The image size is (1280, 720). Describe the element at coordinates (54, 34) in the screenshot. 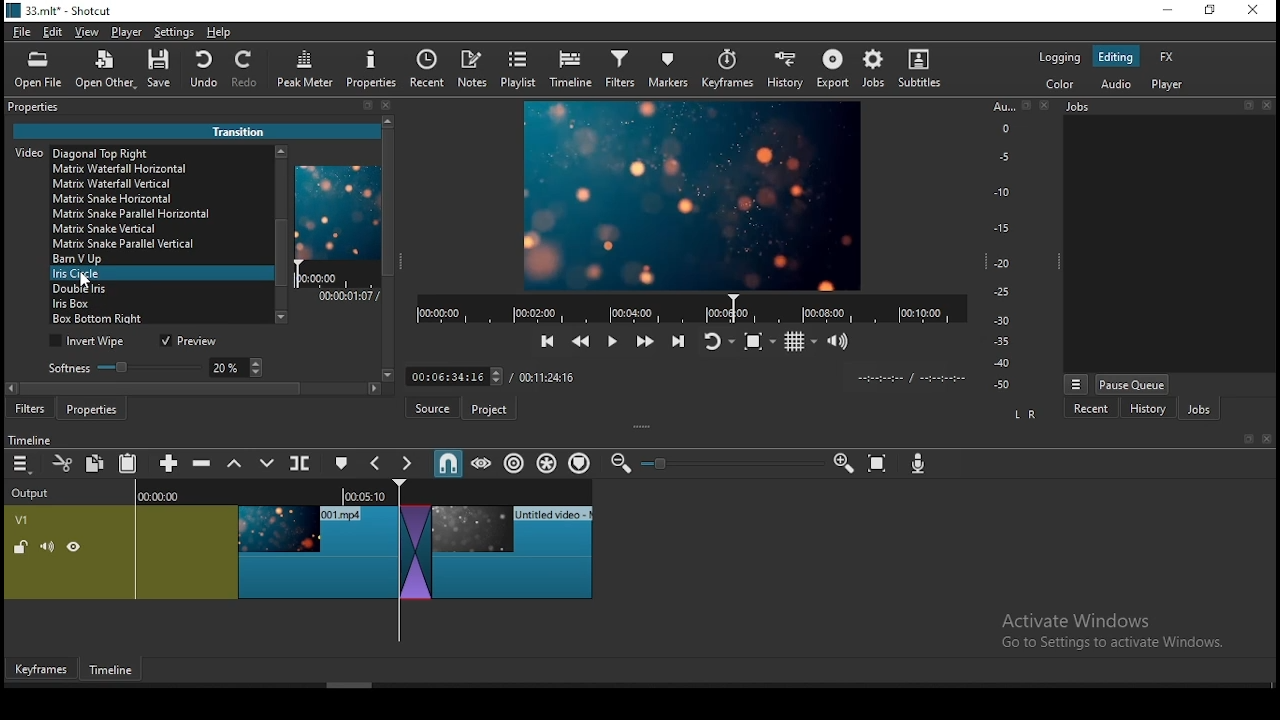

I see `edit` at that location.